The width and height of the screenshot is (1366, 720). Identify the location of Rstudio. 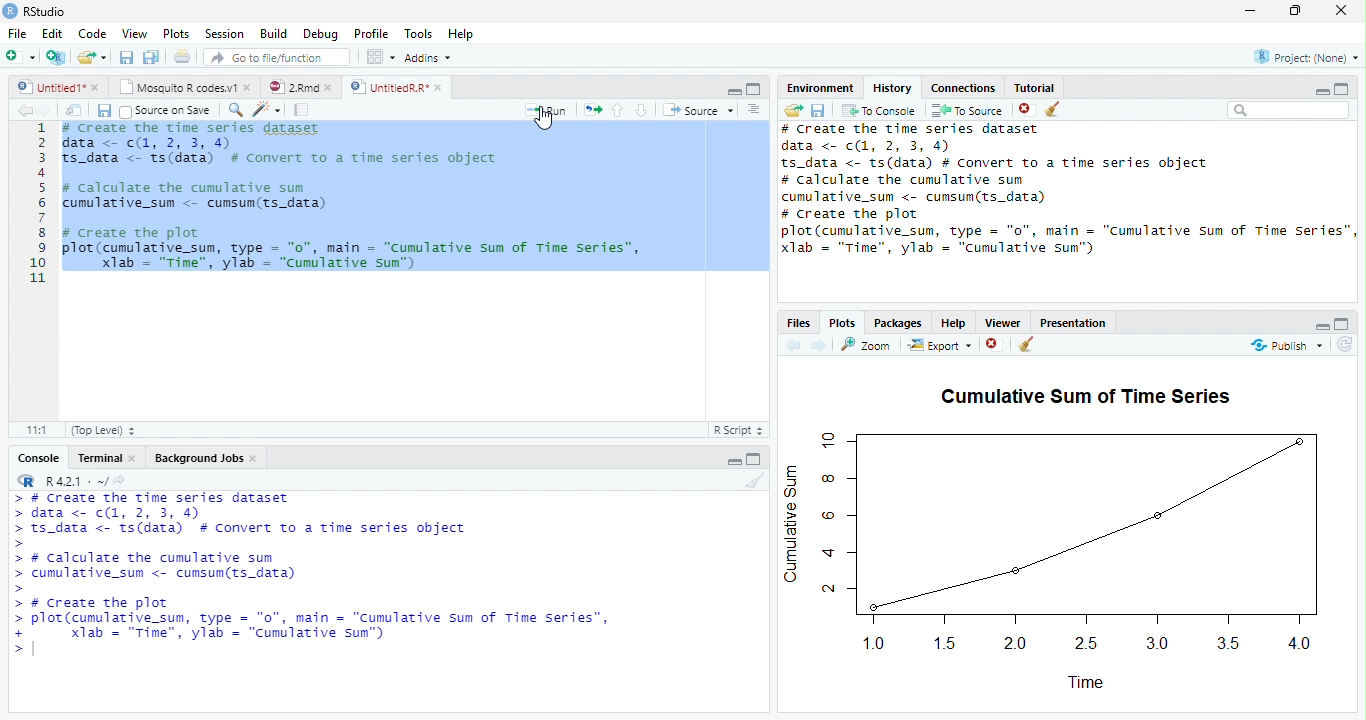
(36, 10).